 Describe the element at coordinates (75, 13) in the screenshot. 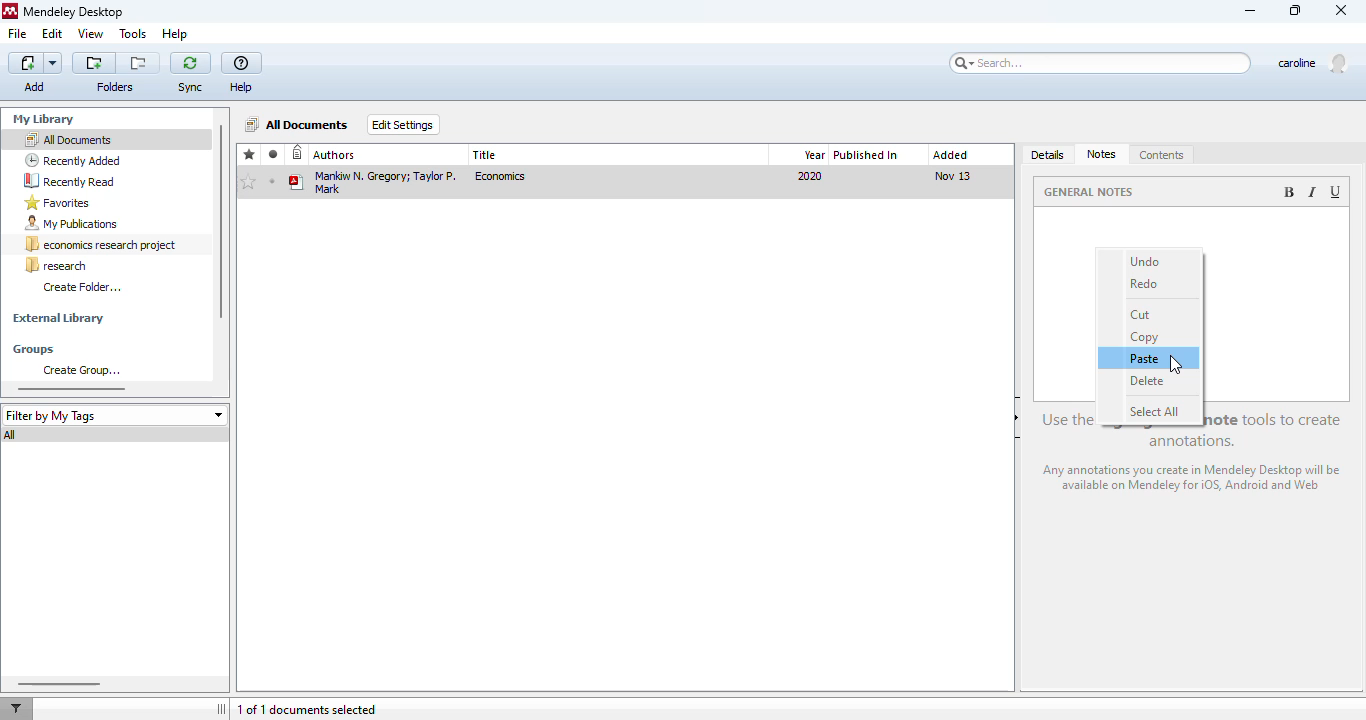

I see `mendeley desktop` at that location.